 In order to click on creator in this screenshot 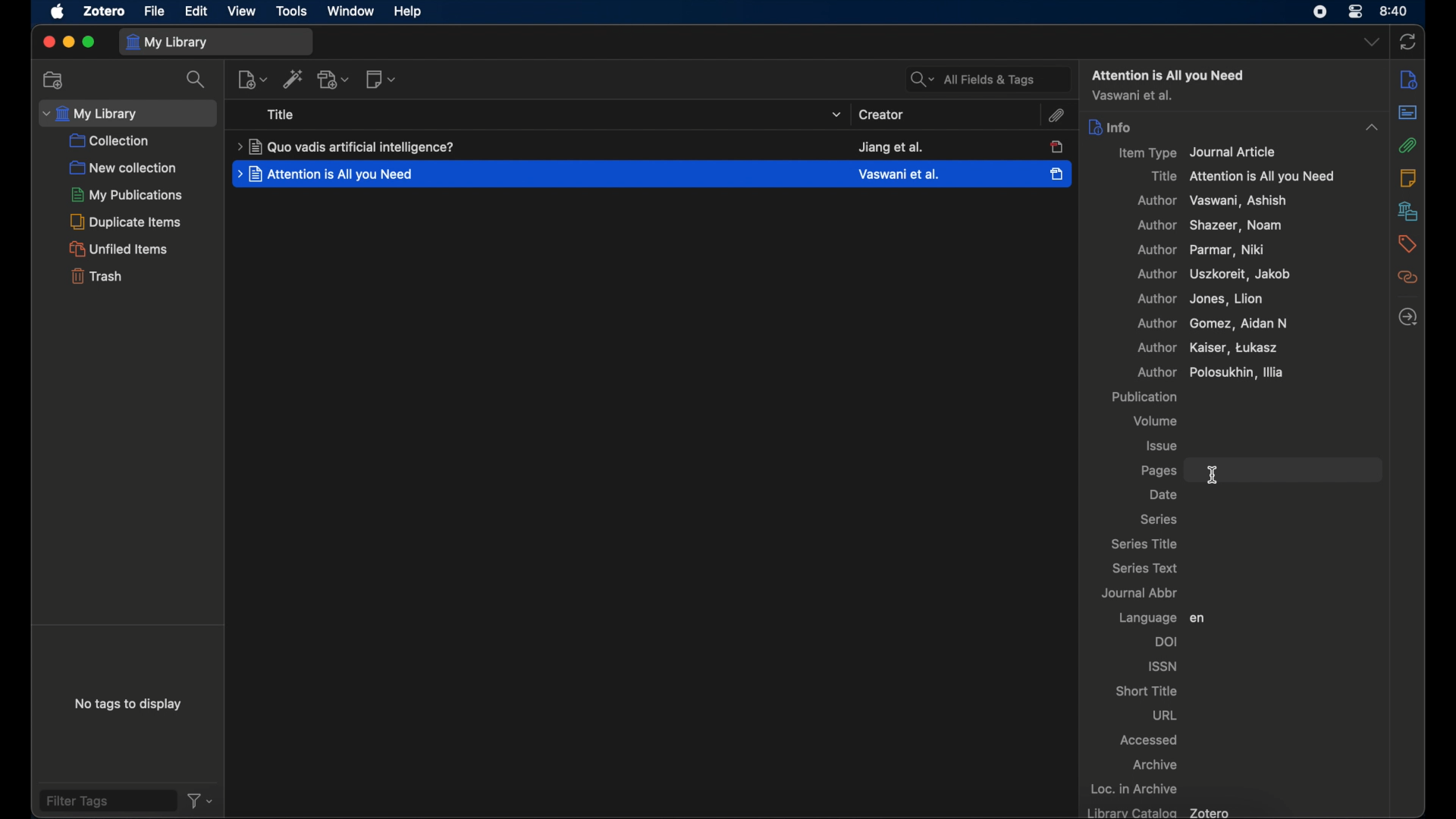, I will do `click(880, 115)`.